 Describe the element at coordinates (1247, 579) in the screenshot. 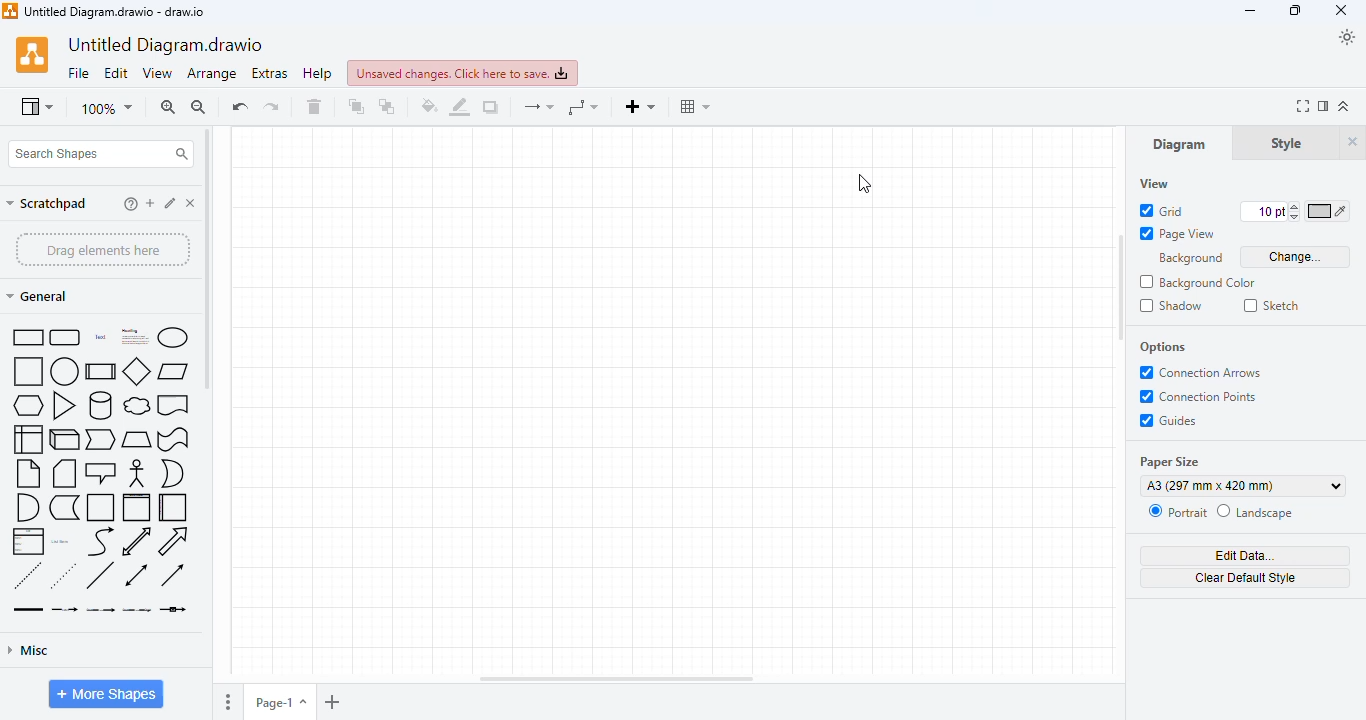

I see `clear default style` at that location.